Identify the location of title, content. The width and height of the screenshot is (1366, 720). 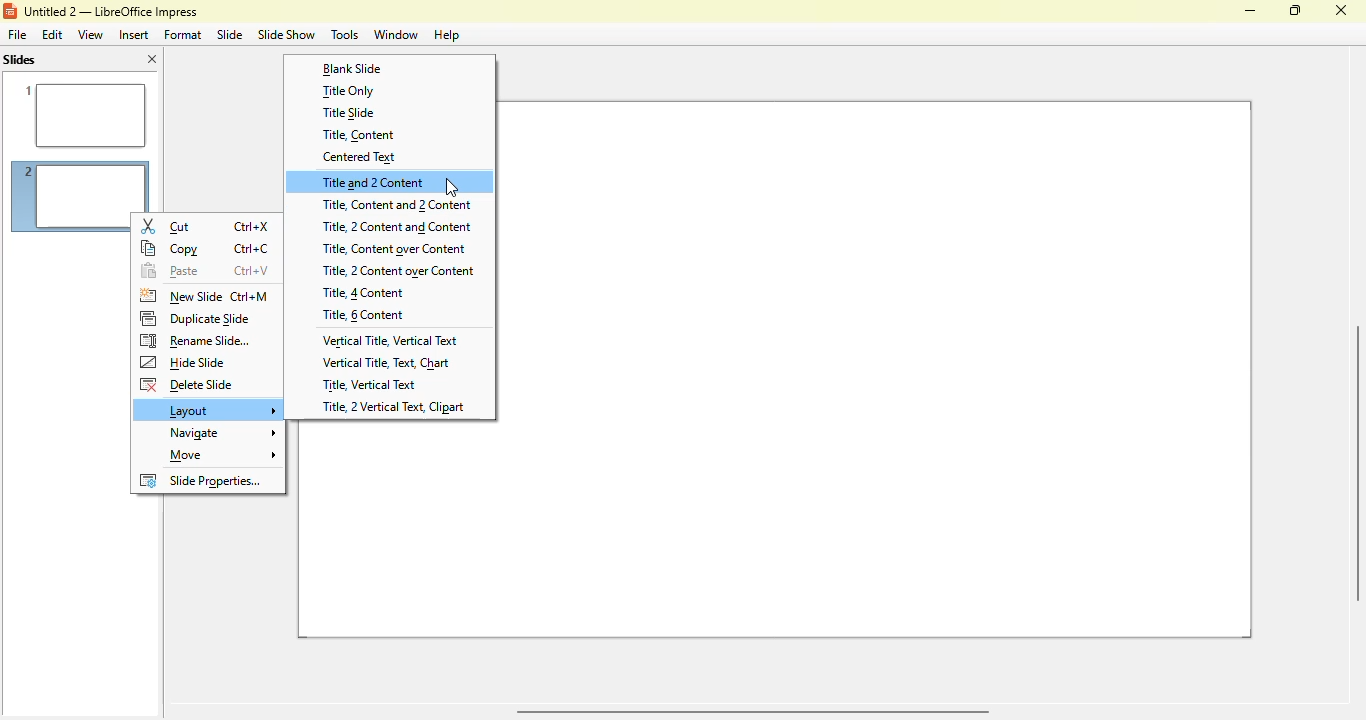
(359, 134).